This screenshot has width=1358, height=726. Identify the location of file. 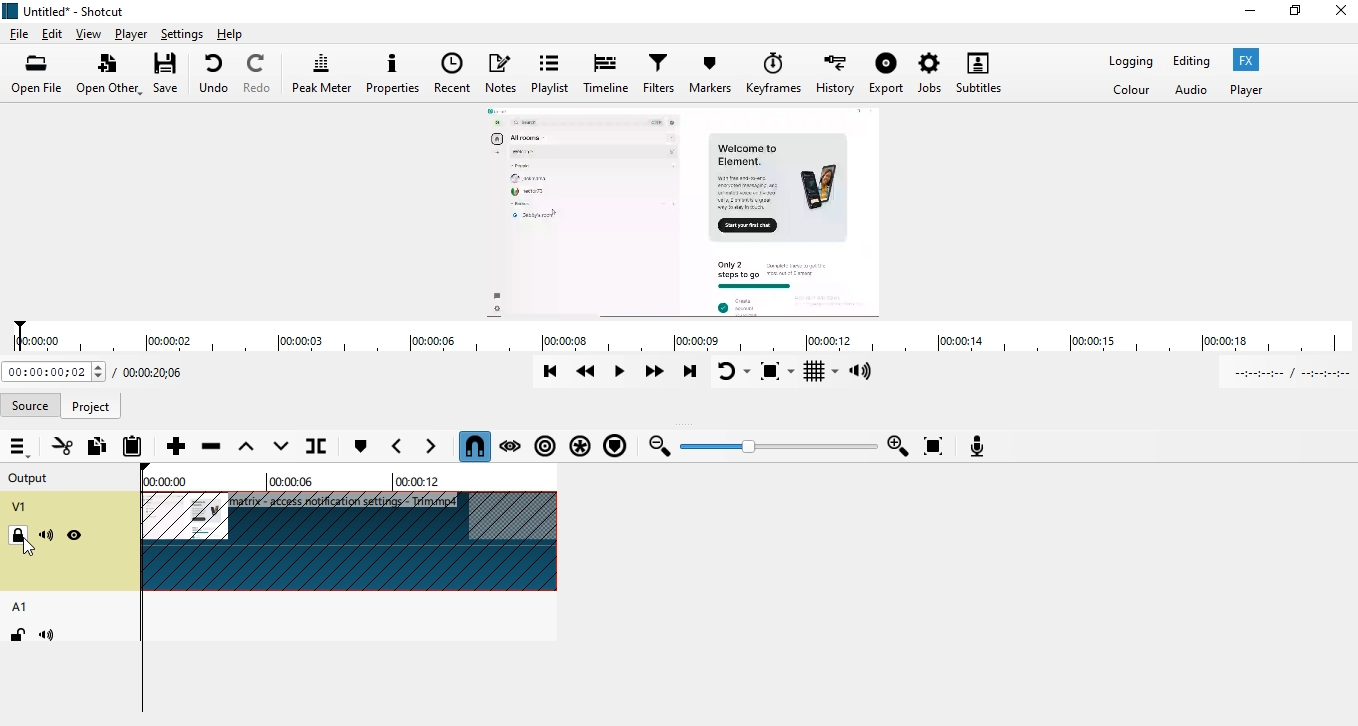
(21, 32).